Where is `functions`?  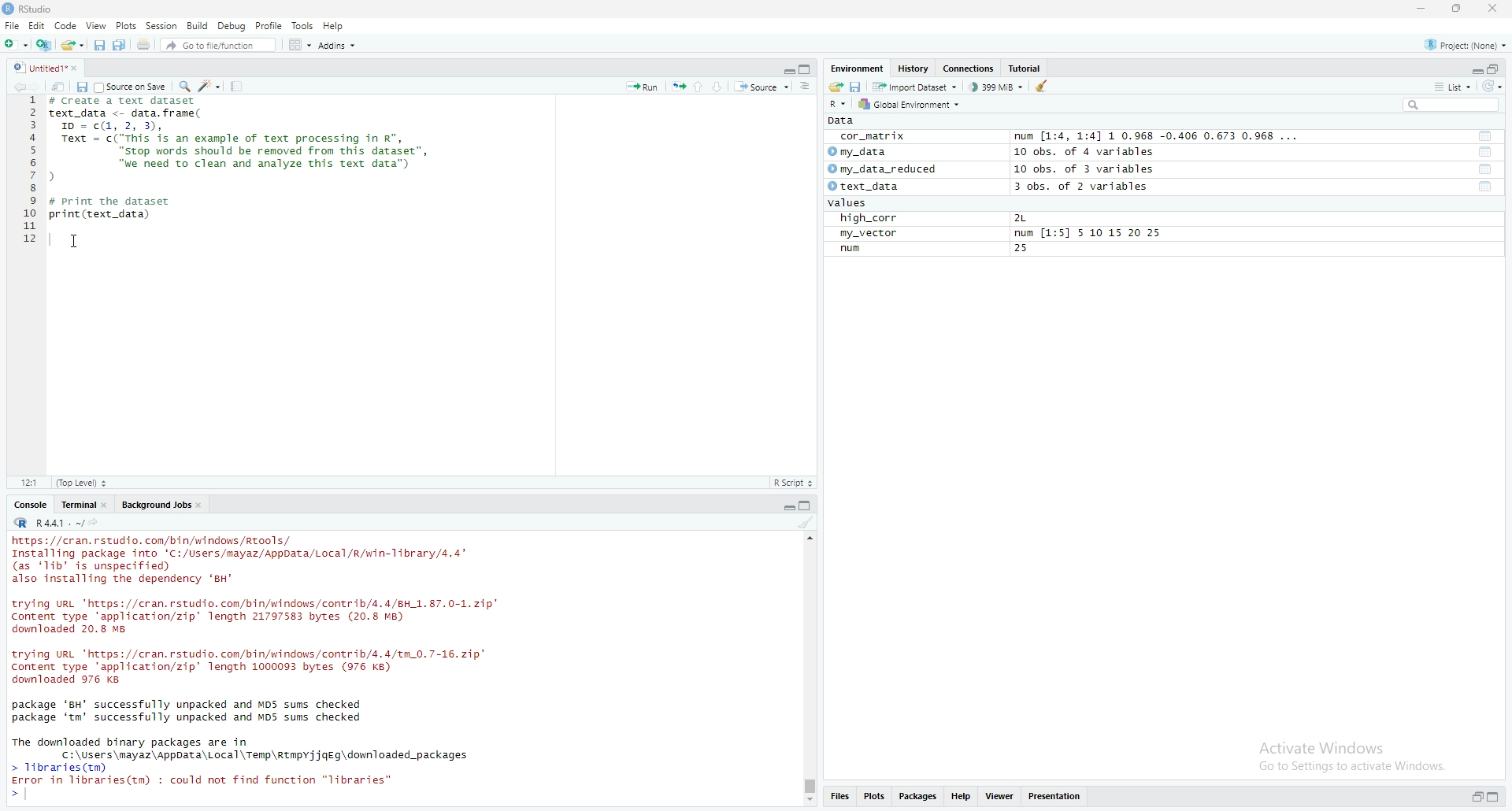 functions is located at coordinates (1486, 187).